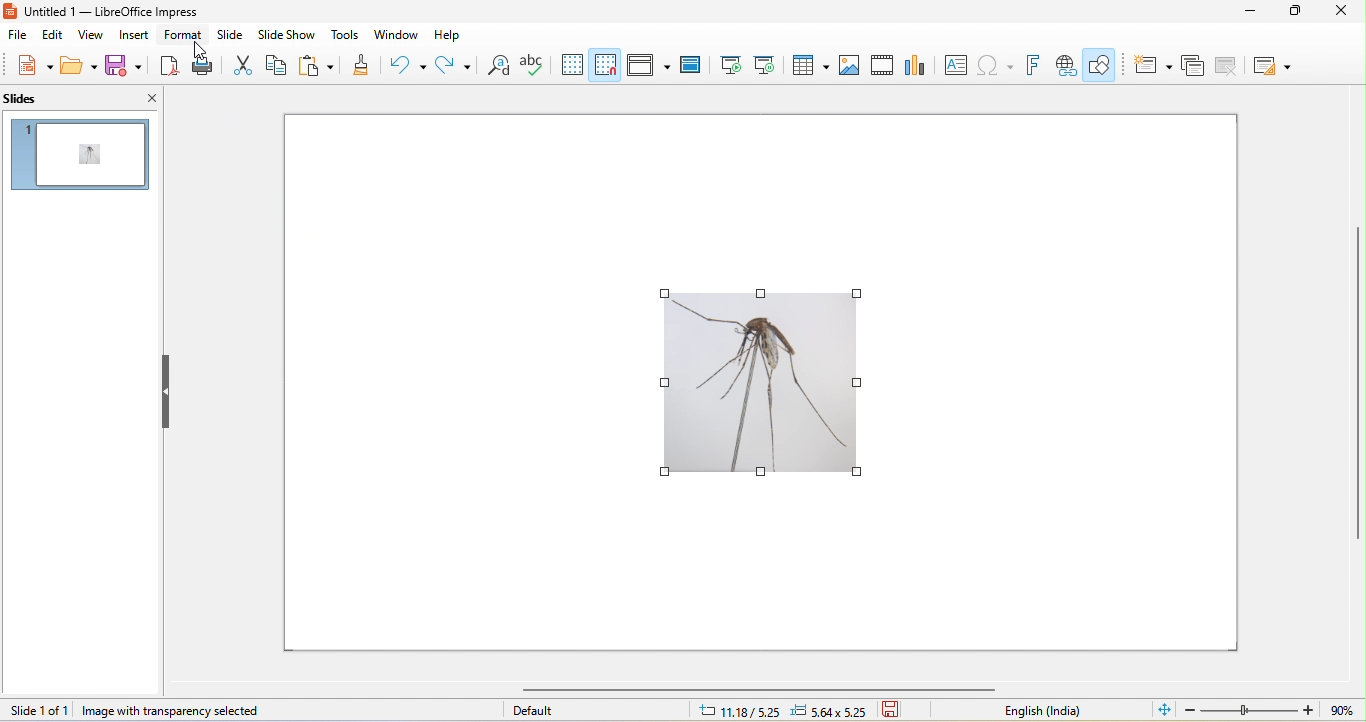 This screenshot has height=722, width=1366. I want to click on open, so click(79, 65).